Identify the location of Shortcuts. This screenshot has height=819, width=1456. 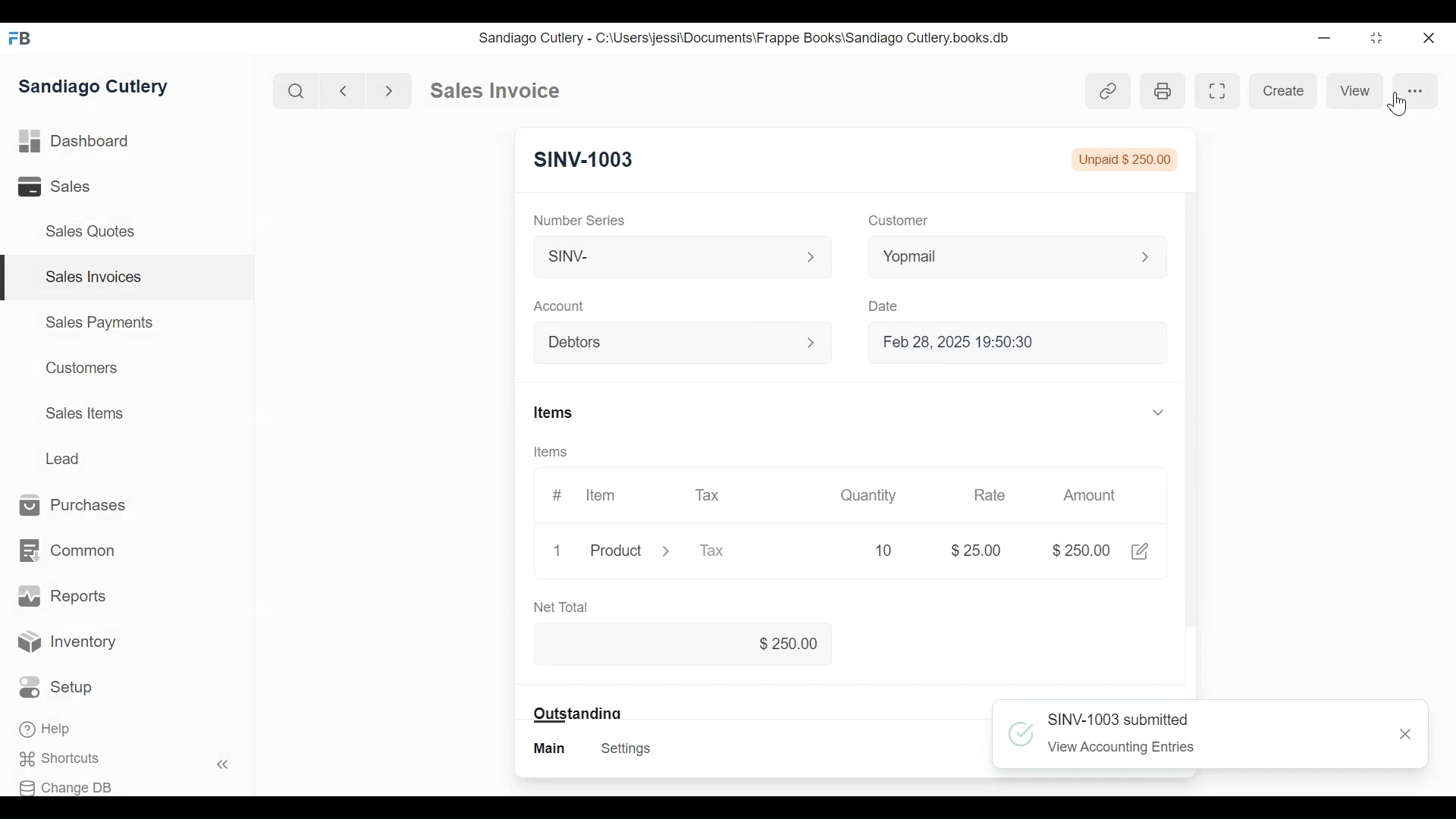
(65, 759).